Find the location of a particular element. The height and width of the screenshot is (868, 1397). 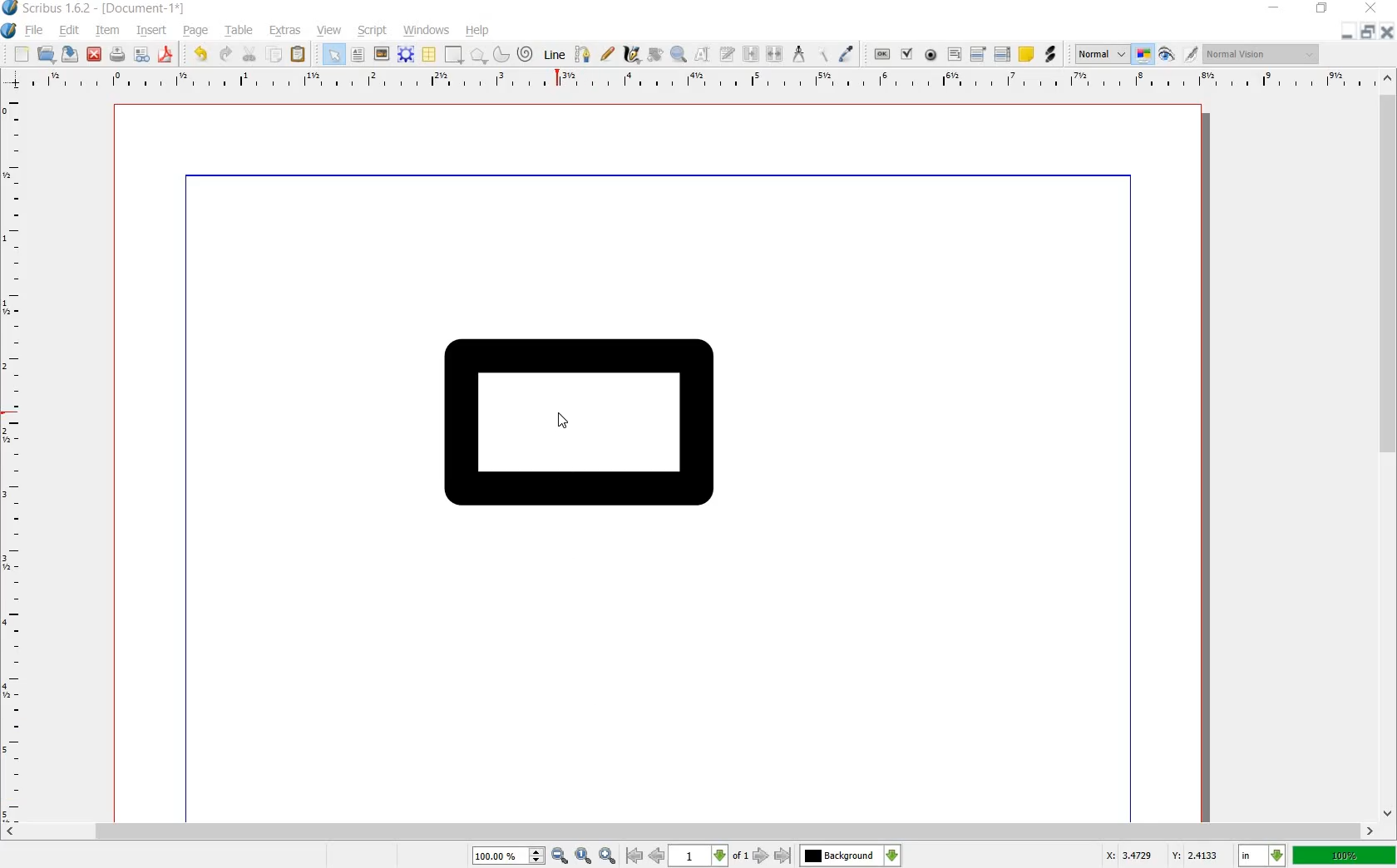

Zoom out is located at coordinates (610, 856).